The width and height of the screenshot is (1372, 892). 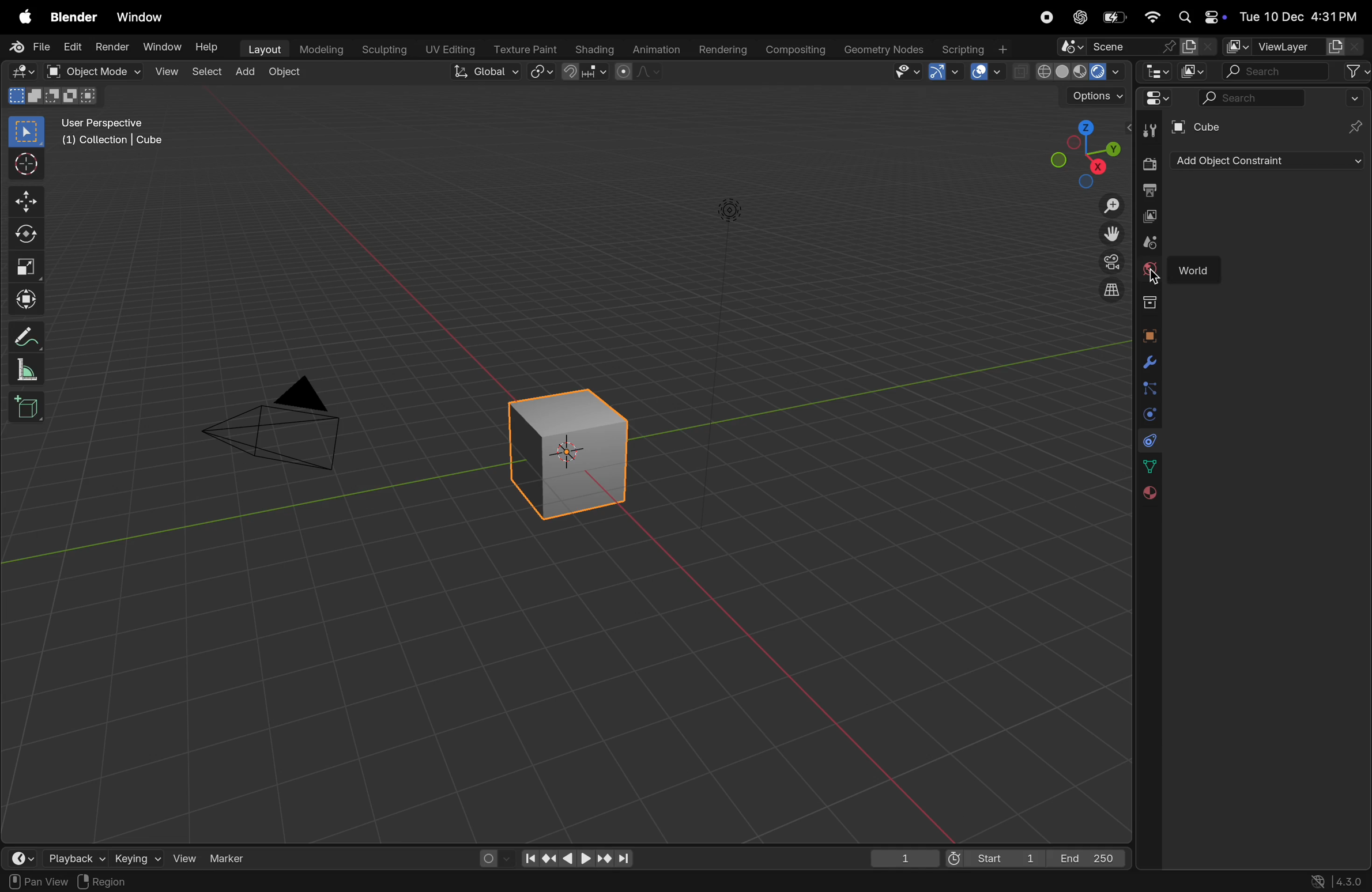 I want to click on trasnform pviot, so click(x=543, y=71).